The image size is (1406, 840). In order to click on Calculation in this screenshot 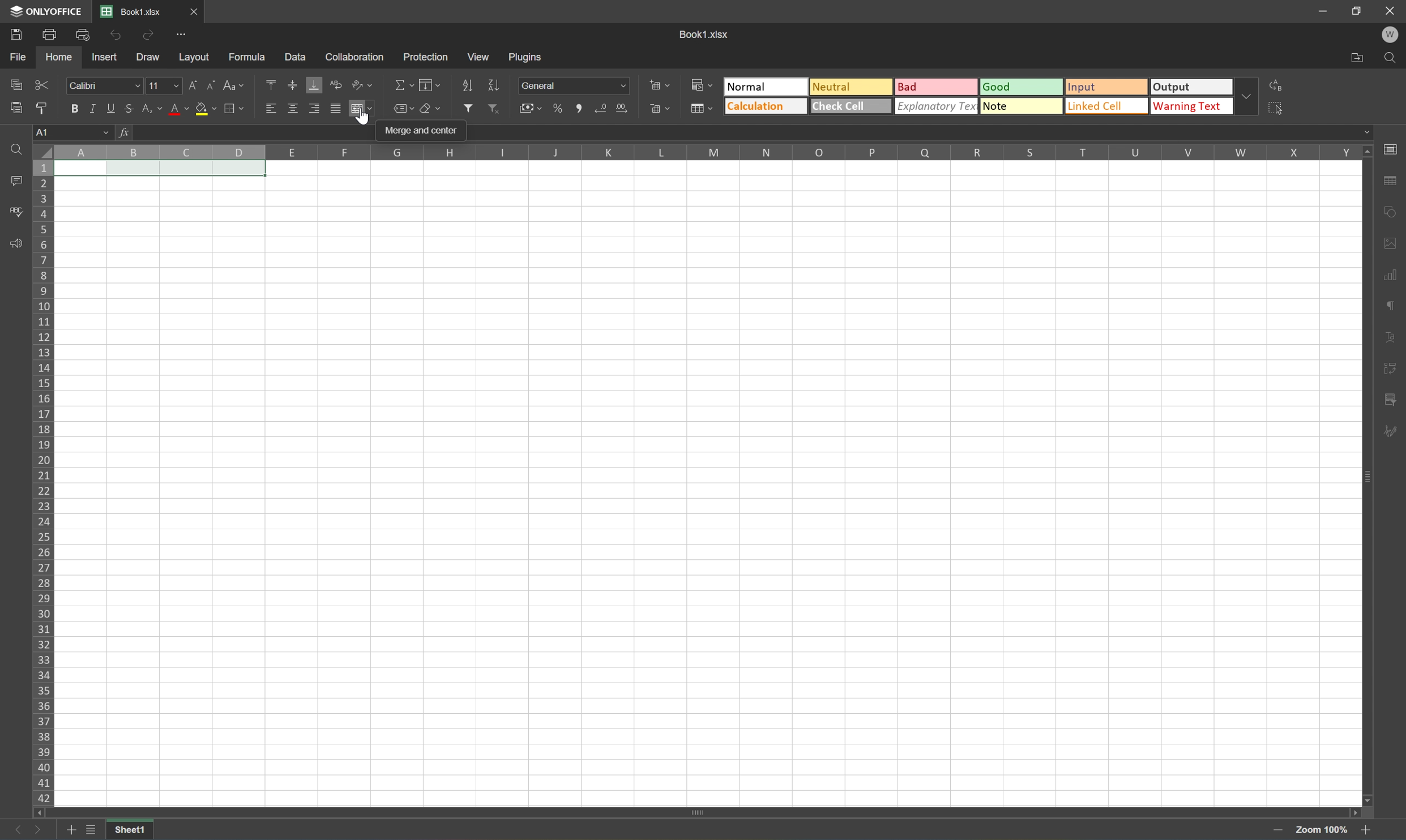, I will do `click(766, 106)`.